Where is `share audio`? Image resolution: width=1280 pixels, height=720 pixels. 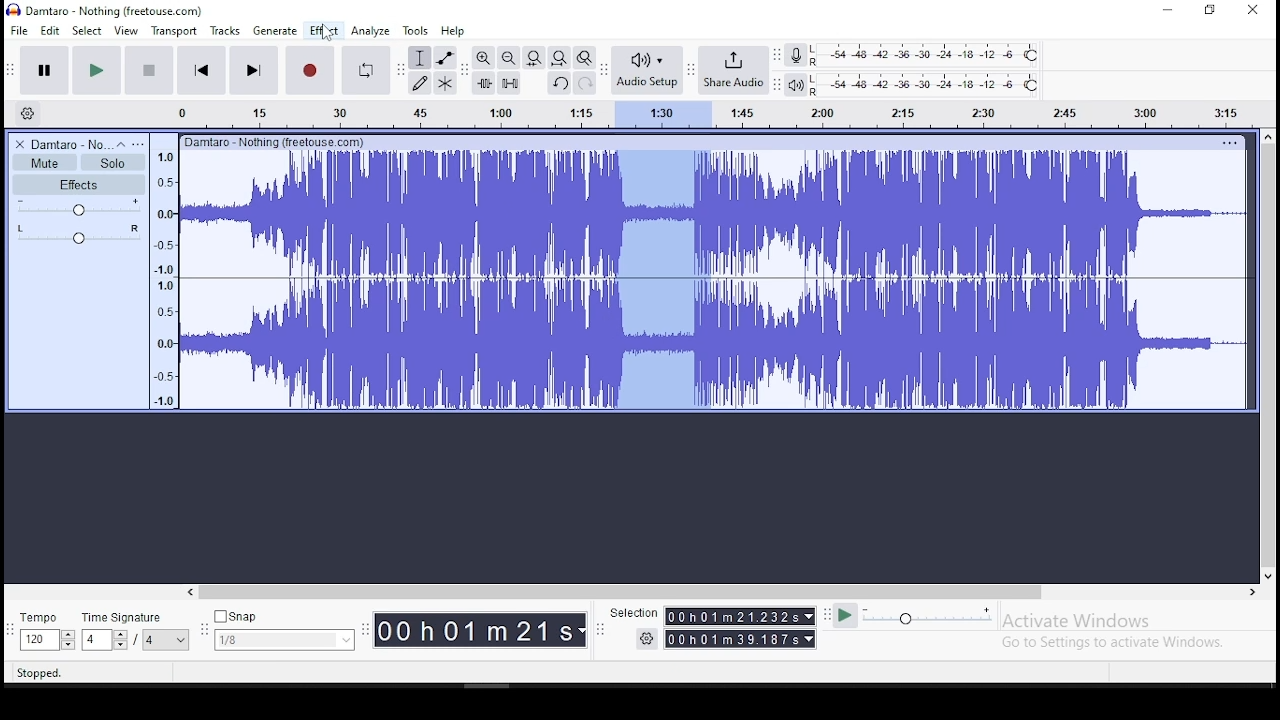 share audio is located at coordinates (735, 72).